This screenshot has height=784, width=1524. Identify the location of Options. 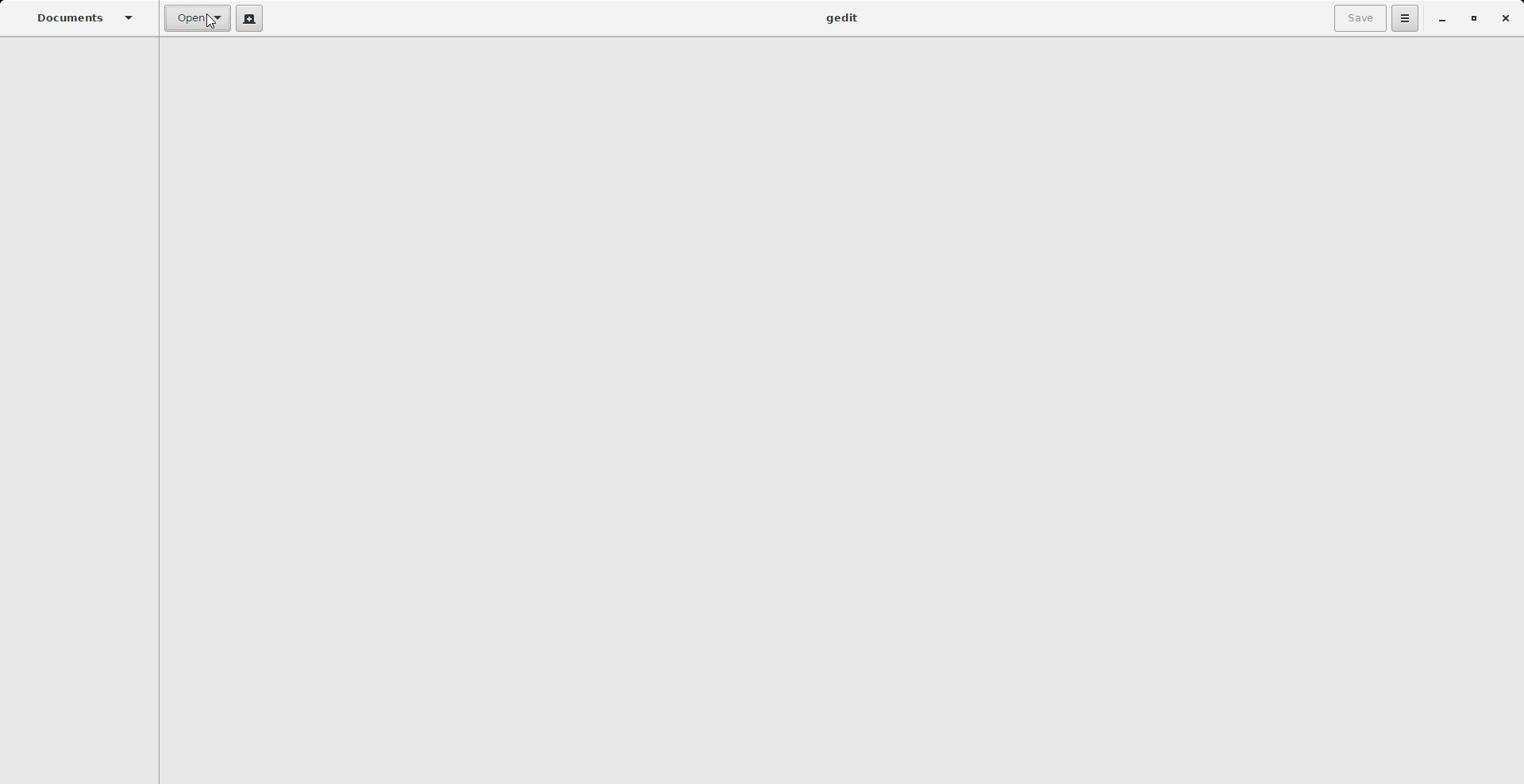
(1410, 18).